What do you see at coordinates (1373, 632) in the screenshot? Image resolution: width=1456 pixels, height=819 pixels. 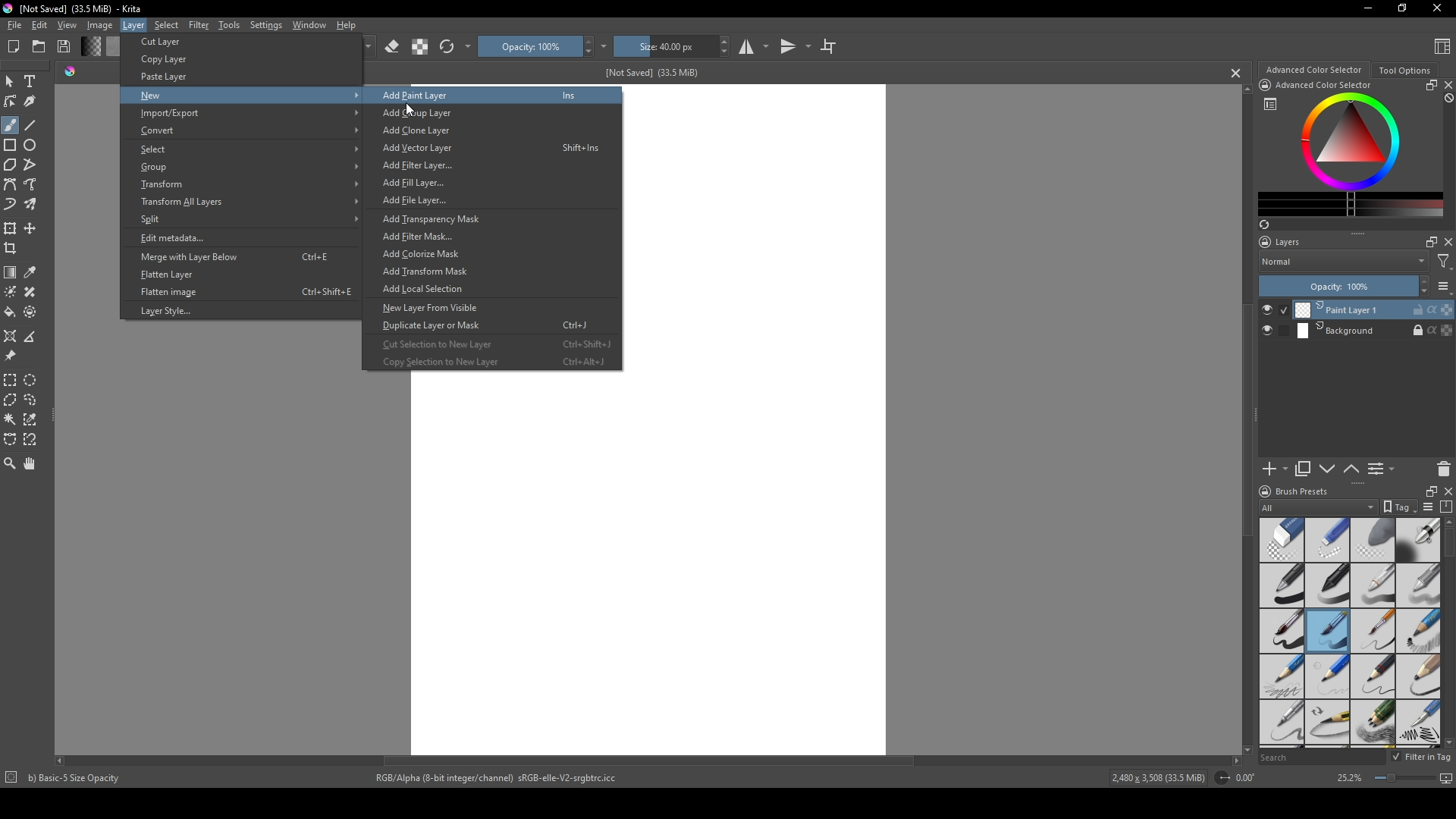 I see `thin brush` at bounding box center [1373, 632].